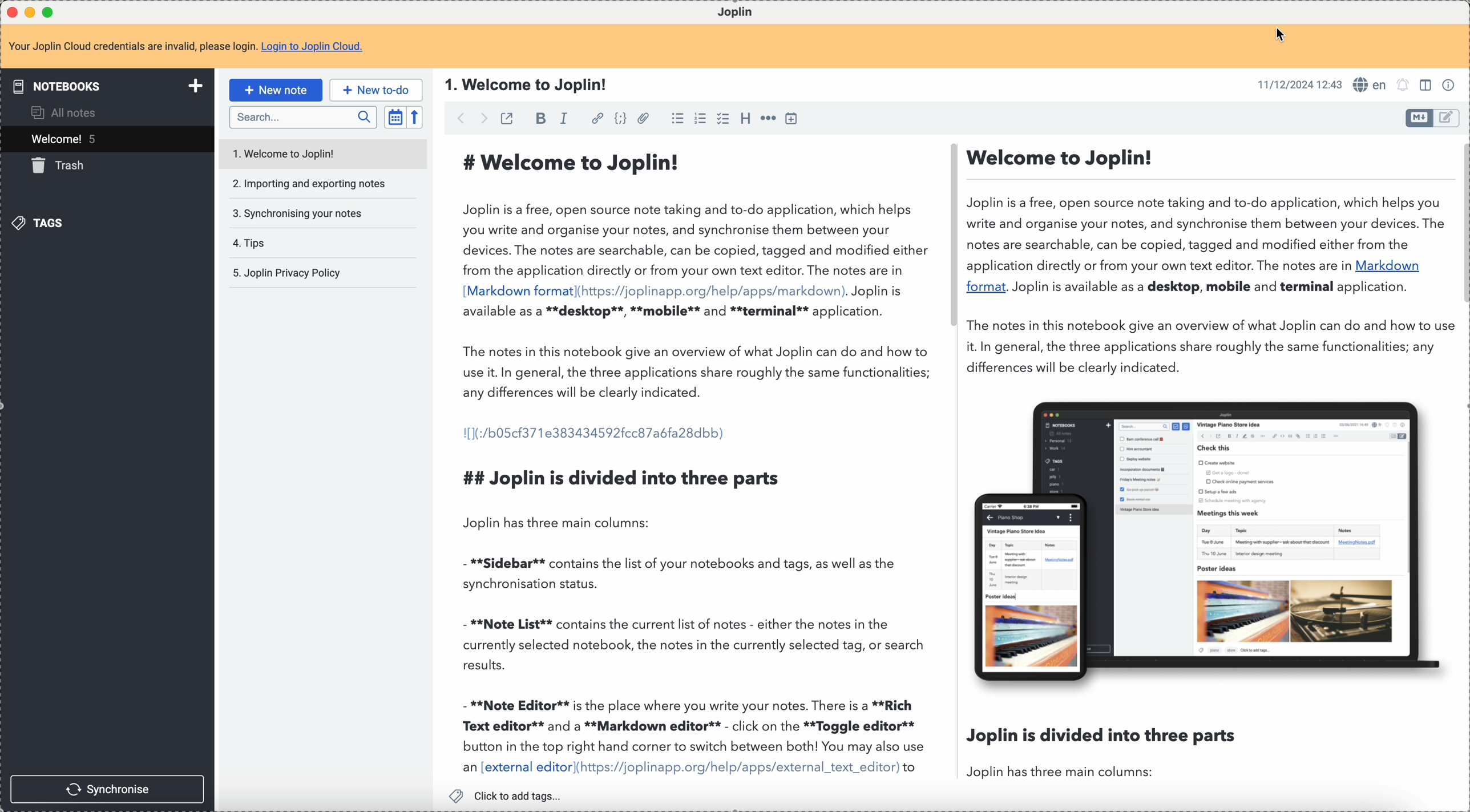 The image size is (1470, 812). I want to click on ## Joplin is divided into three parts, so click(624, 478).